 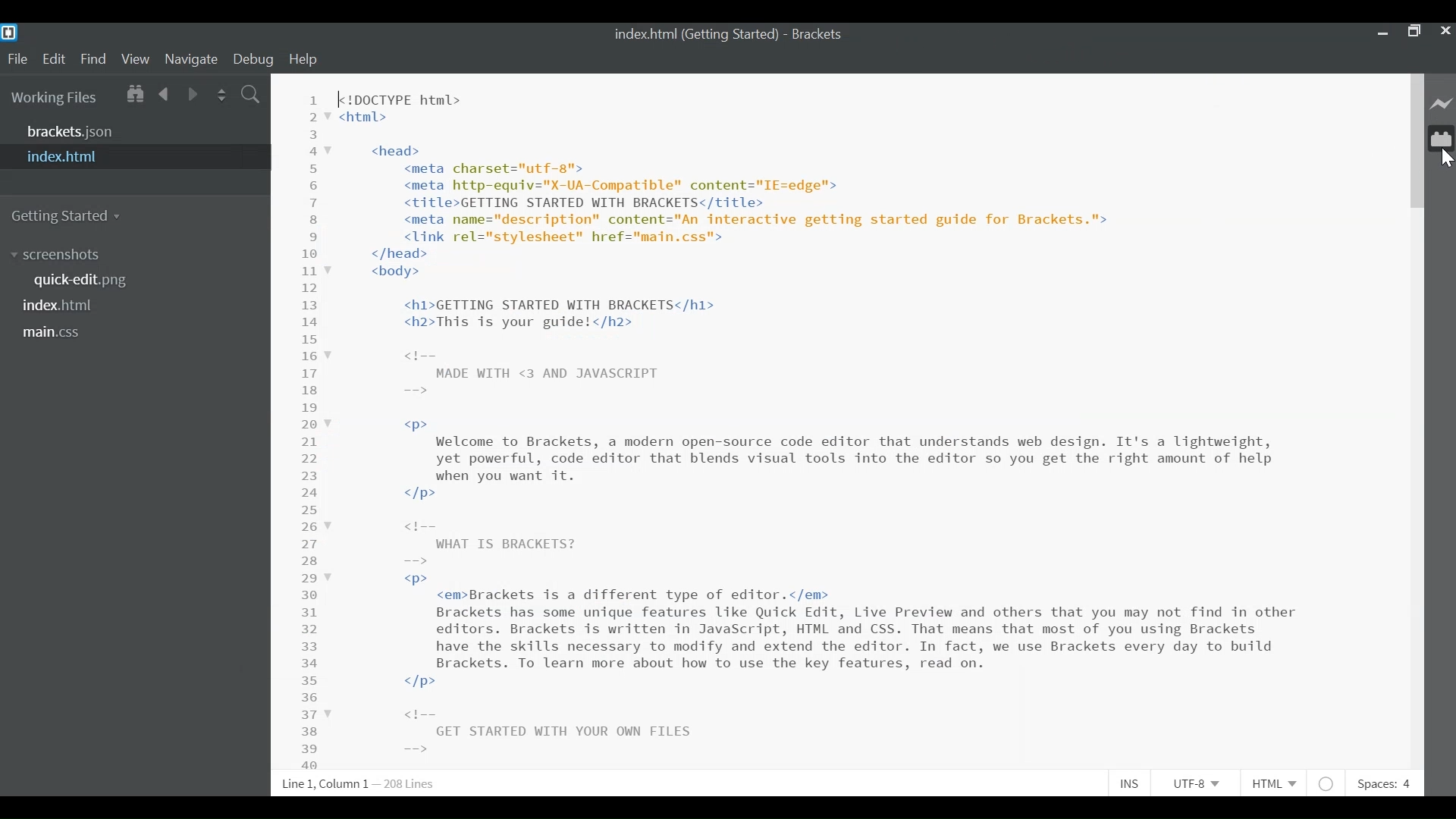 I want to click on [<!DOCTYPE html>
<html>
<head>
<meta charset="utf-8">
<meta http-equiv="X-UA-Compatible" content="IE=edge">
<title>GETTING STARTED WITH BRACKETS</title>
<meta name="description" content="An interactive getting started guide for Brackets.">
<link rel="stylesheet" href="main.css">
</head>
<body>
<h1>GETTING STARTED WITH BRACKETS</h1>
<h2>This is your guide!</h2>
<t--
MADE WITH <3 AND JAVASCRIPT
-—>
<p>
Welcome to Brackets, a modern open-source code editor that understands web design. It's a lightweight,
yet powerful, code editor that blends visual tools into the editor so you get the right amount of help
when you want it.
</p>
<t--
WHAT IS BRACKETS?
-—>
<p>
<em>Brackets is a different type of editor.</em>
Brackets has some unique features like Quick Edit, Live Preview and others that you may not find in other
editors. Brackets is written in JavaScript, HTML and CSS. That means that most of you using Brackets
have the skills necessary to modify and extend the editor. In fact, we use Brackets every day to build
Brackets. To learn more about how to use the key features, read on.
</p>
<t--
GET STARTED WITH YOUR OWN FILES
==, so click(x=847, y=425).